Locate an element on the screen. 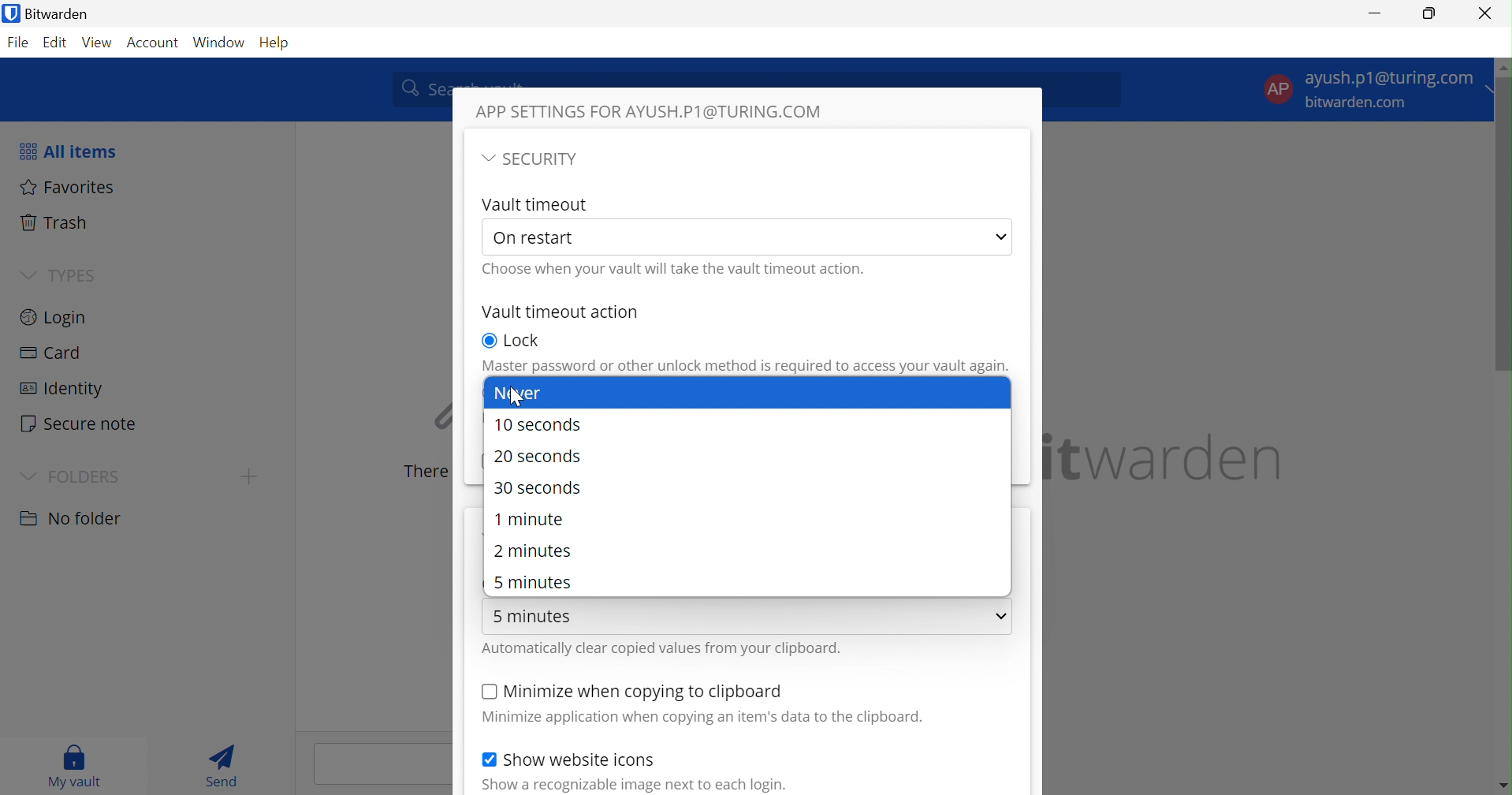 This screenshot has height=795, width=1512. FOLDERS is located at coordinates (84, 479).